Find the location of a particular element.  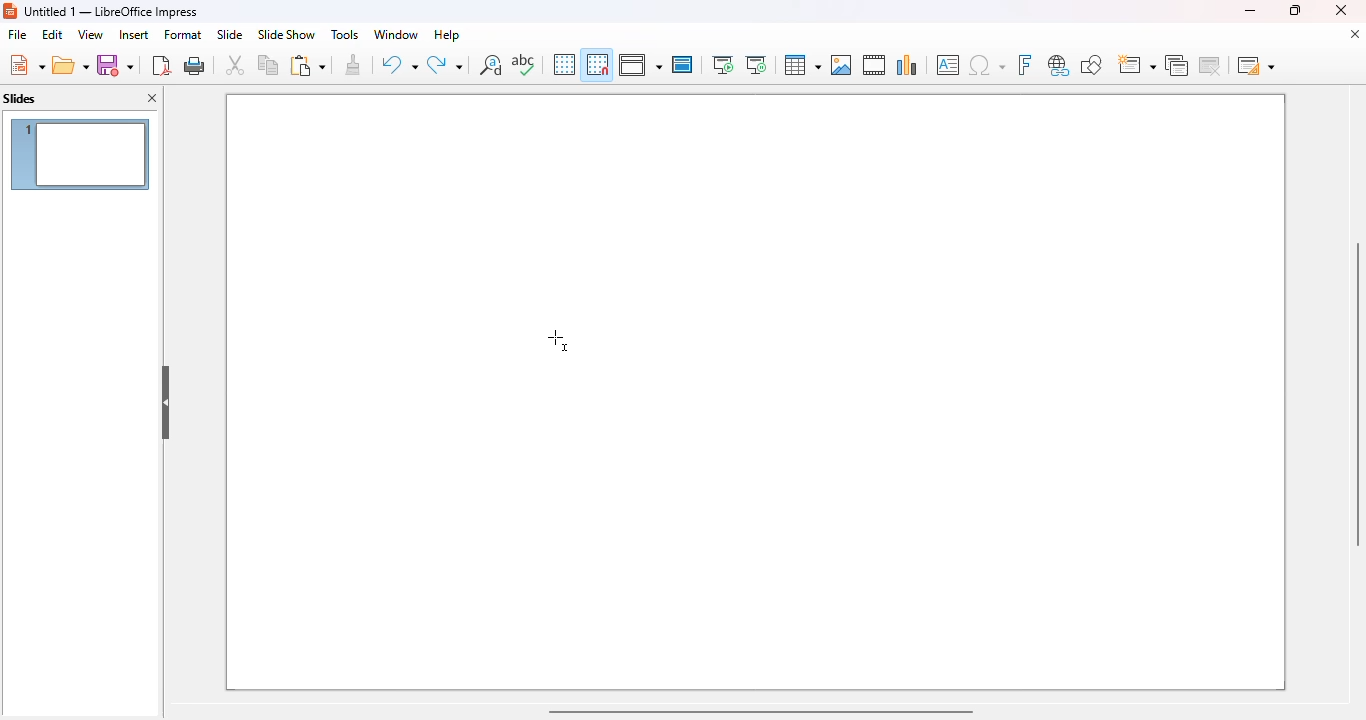

help is located at coordinates (447, 34).